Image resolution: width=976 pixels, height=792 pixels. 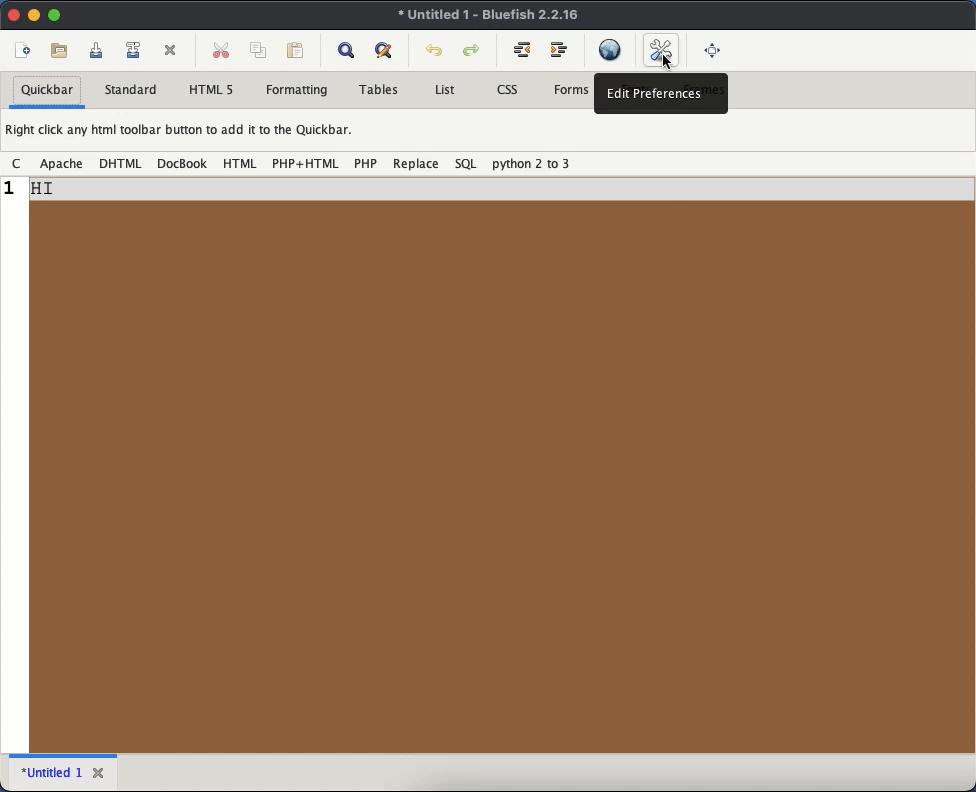 What do you see at coordinates (49, 191) in the screenshot?
I see `HI` at bounding box center [49, 191].